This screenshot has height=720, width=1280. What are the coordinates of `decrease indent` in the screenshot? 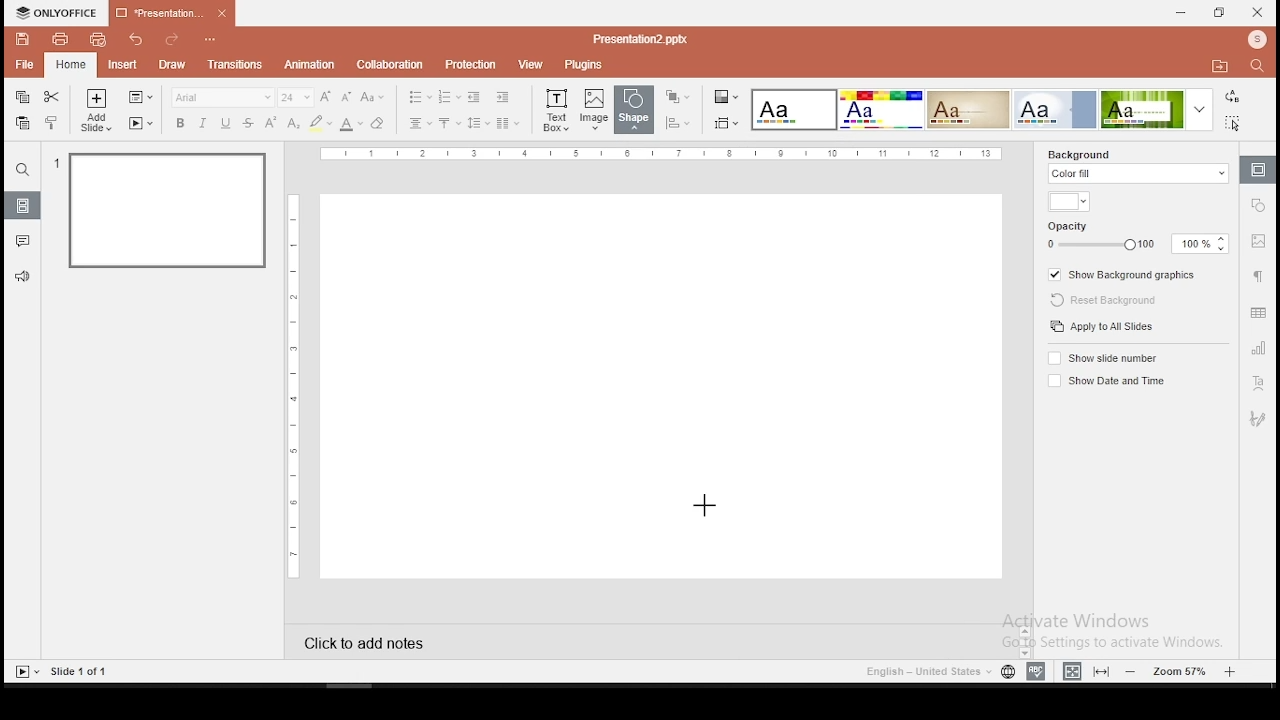 It's located at (476, 96).